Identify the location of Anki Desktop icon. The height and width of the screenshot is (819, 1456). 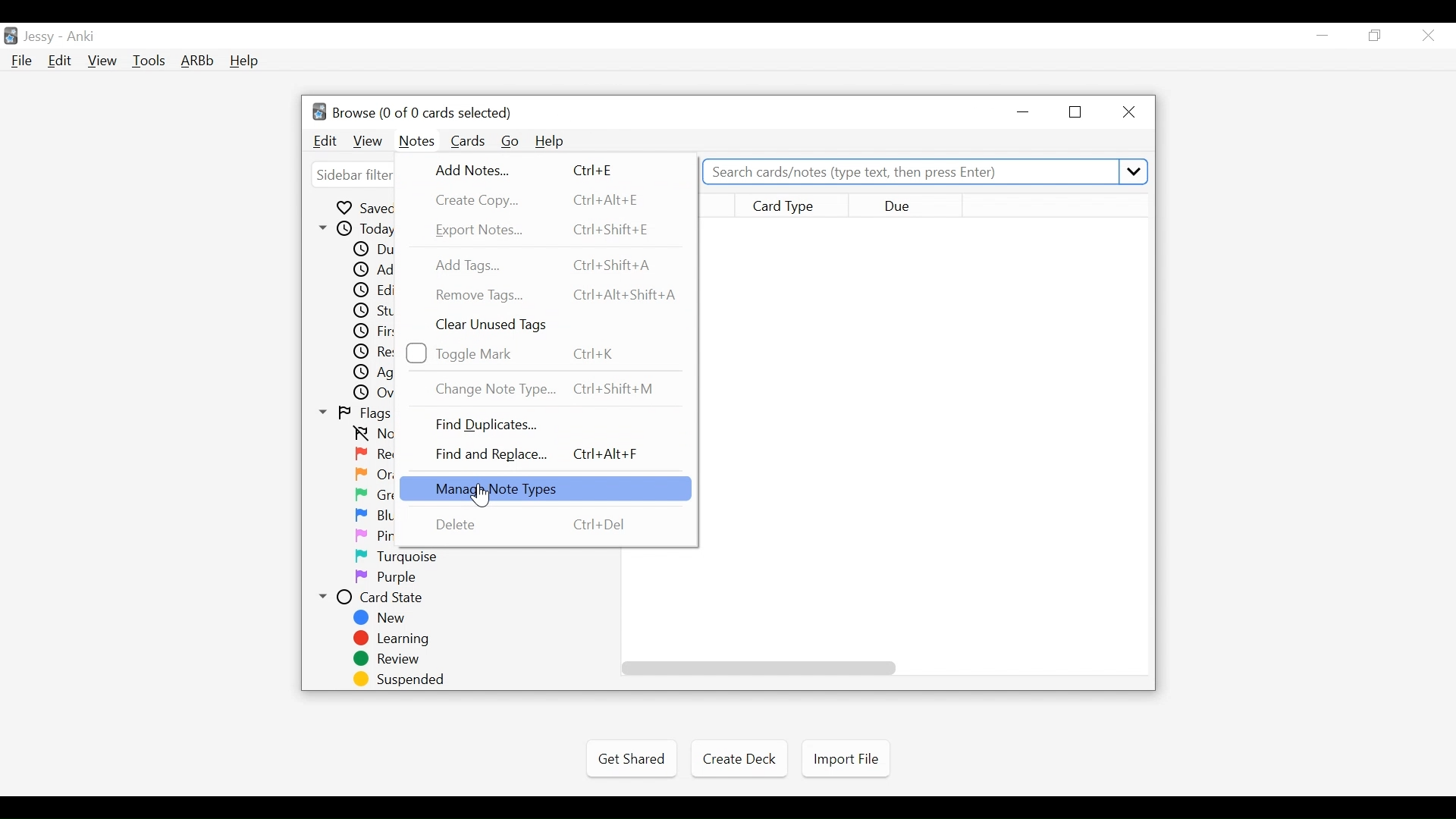
(11, 36).